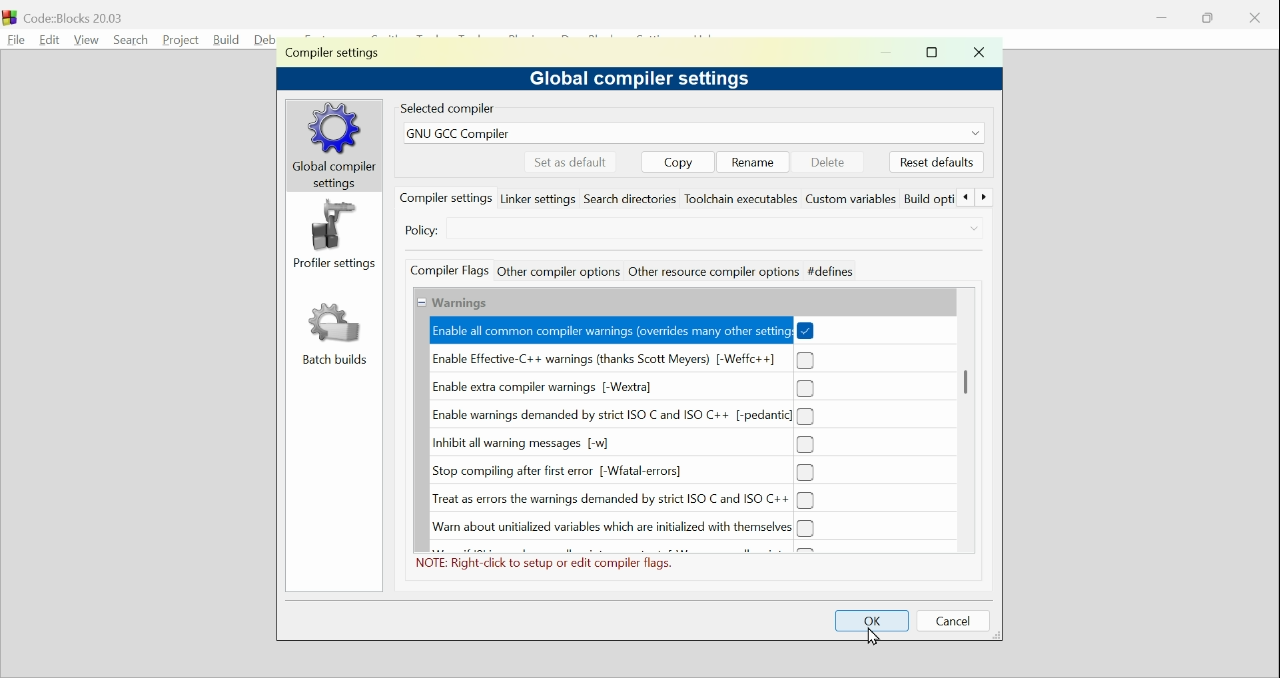  I want to click on (un)check Enable extra compiler warnings, so click(622, 389).